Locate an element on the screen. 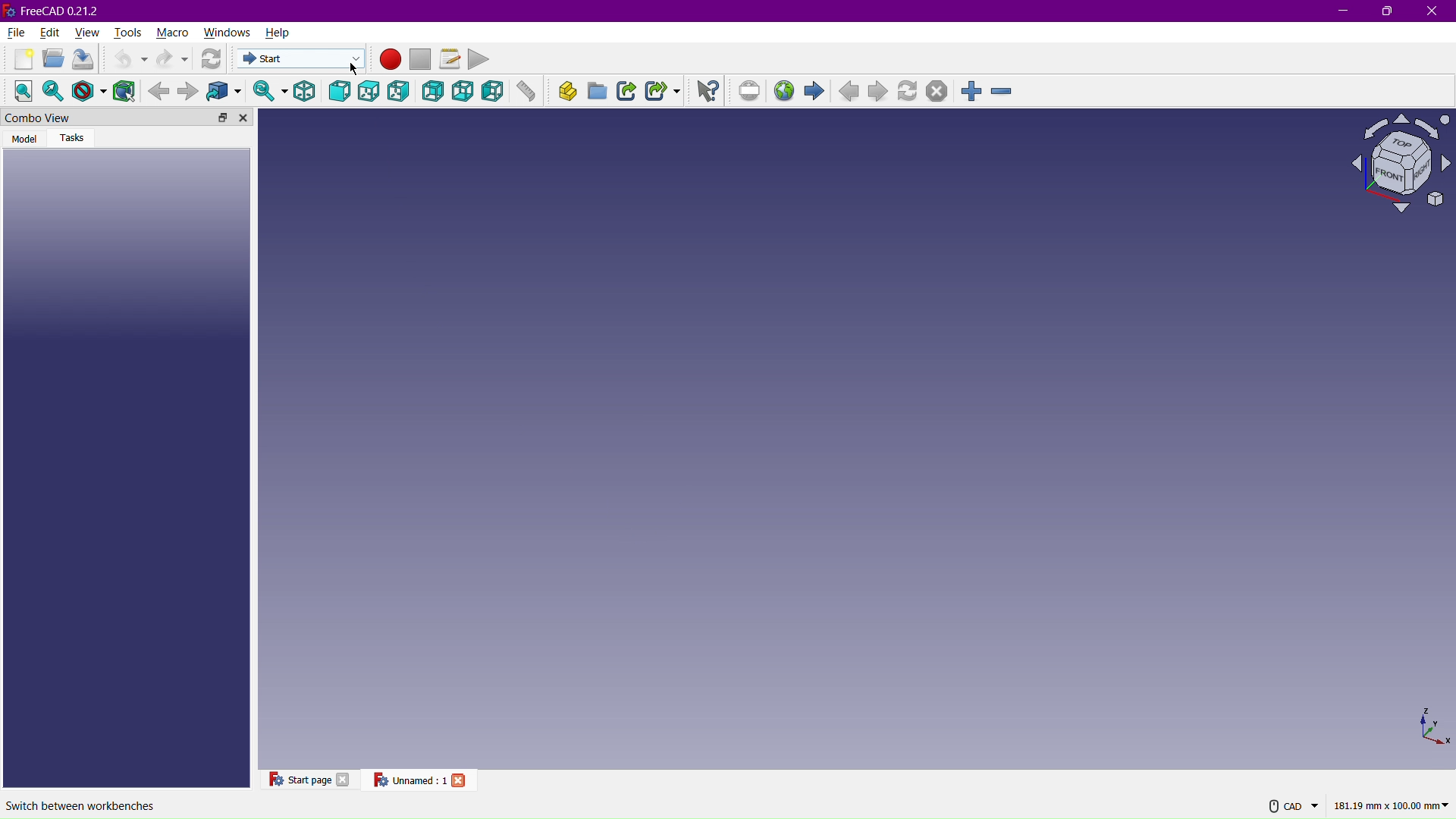  Fit selected content on the screen is located at coordinates (53, 90).